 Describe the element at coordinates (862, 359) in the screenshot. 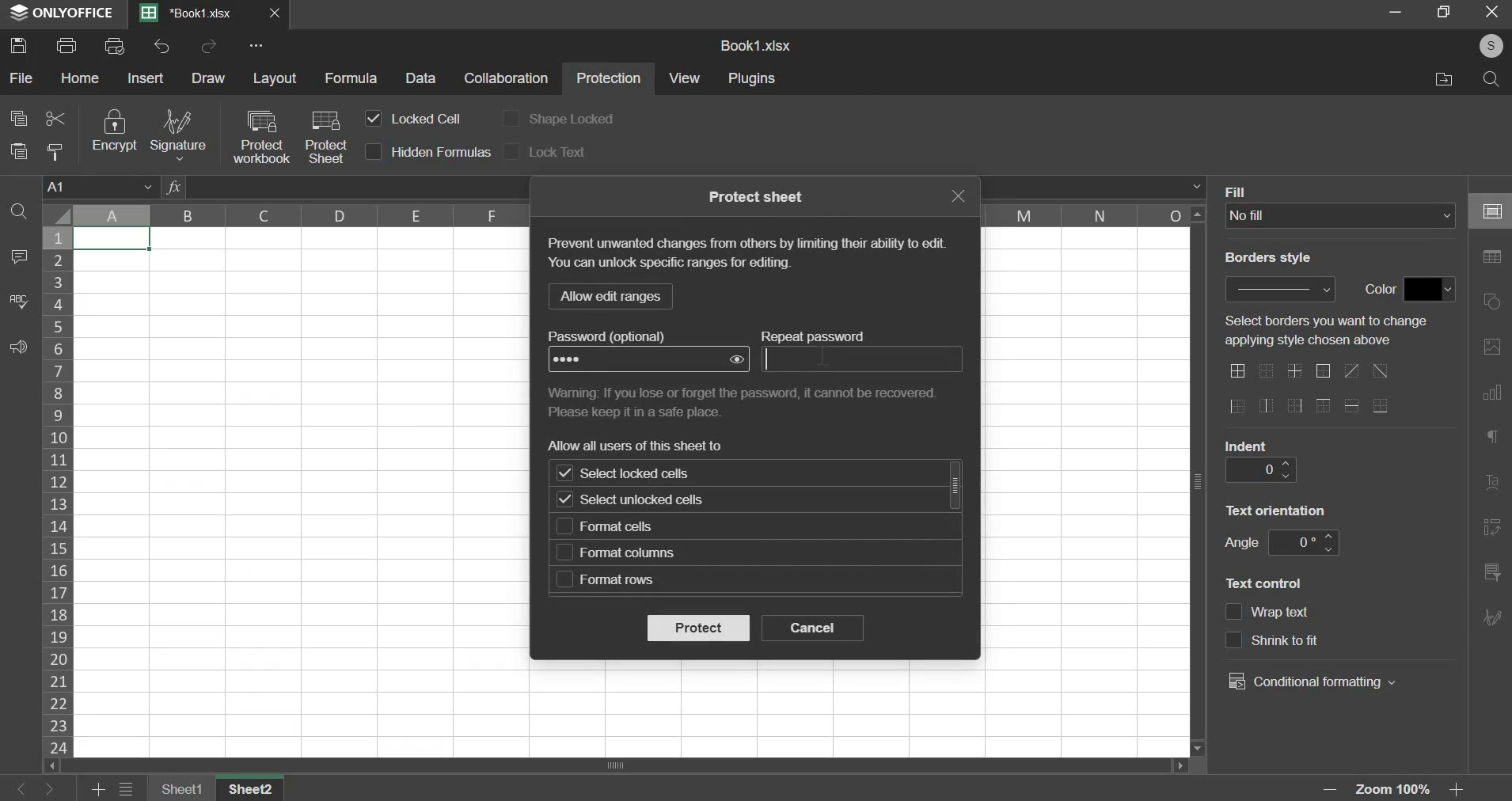

I see `repeat password` at that location.